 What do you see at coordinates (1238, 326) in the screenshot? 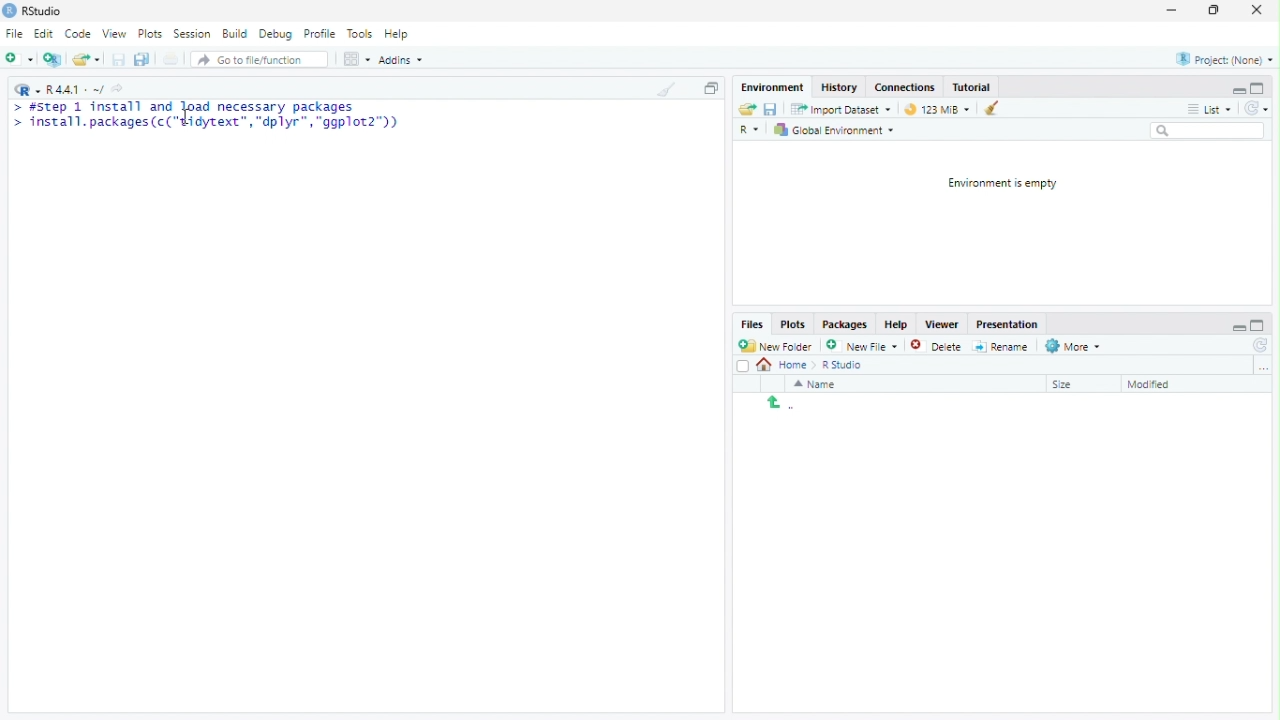
I see `Minimize` at bounding box center [1238, 326].